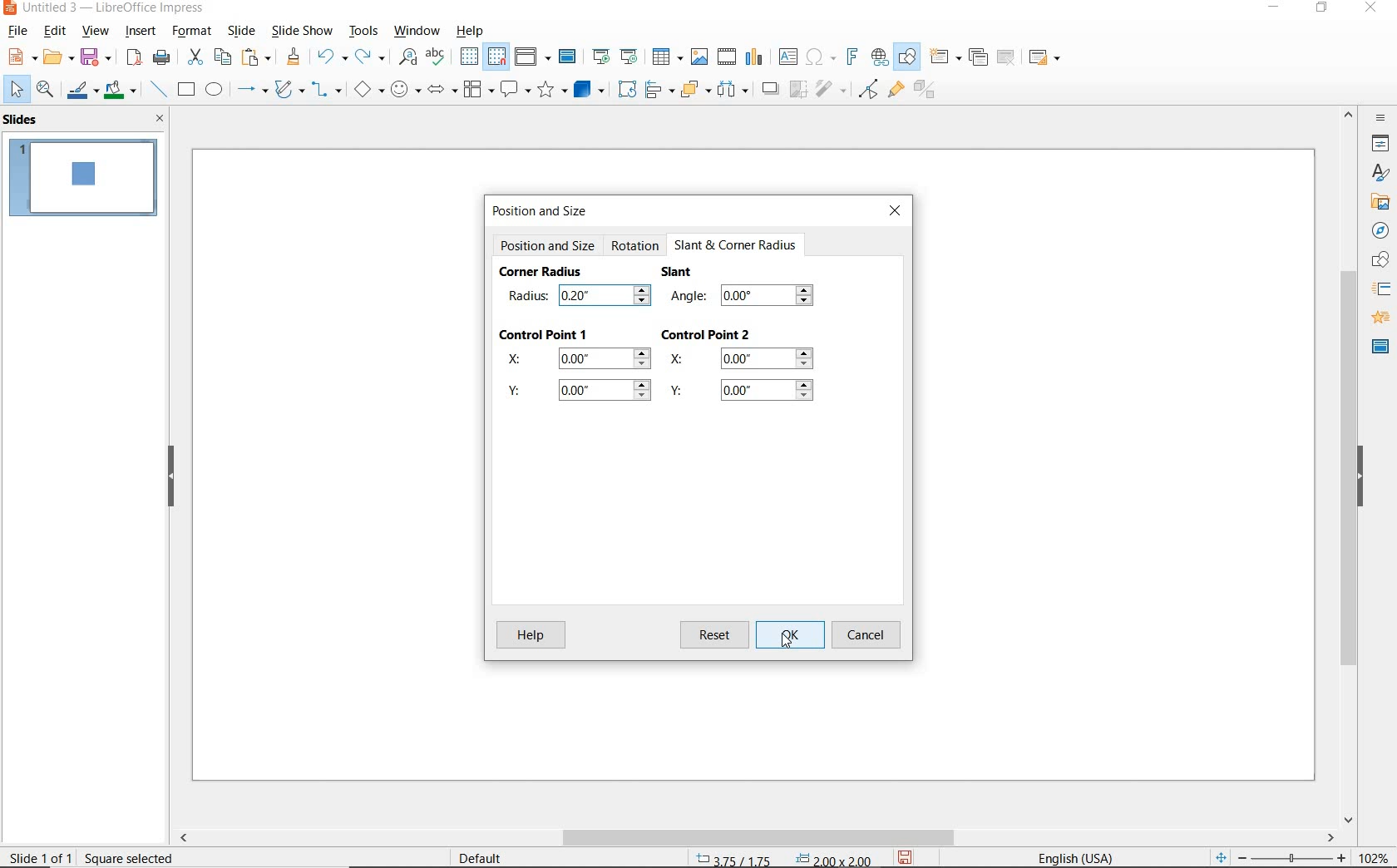 The height and width of the screenshot is (868, 1397). What do you see at coordinates (821, 56) in the screenshot?
I see `insert special characters` at bounding box center [821, 56].